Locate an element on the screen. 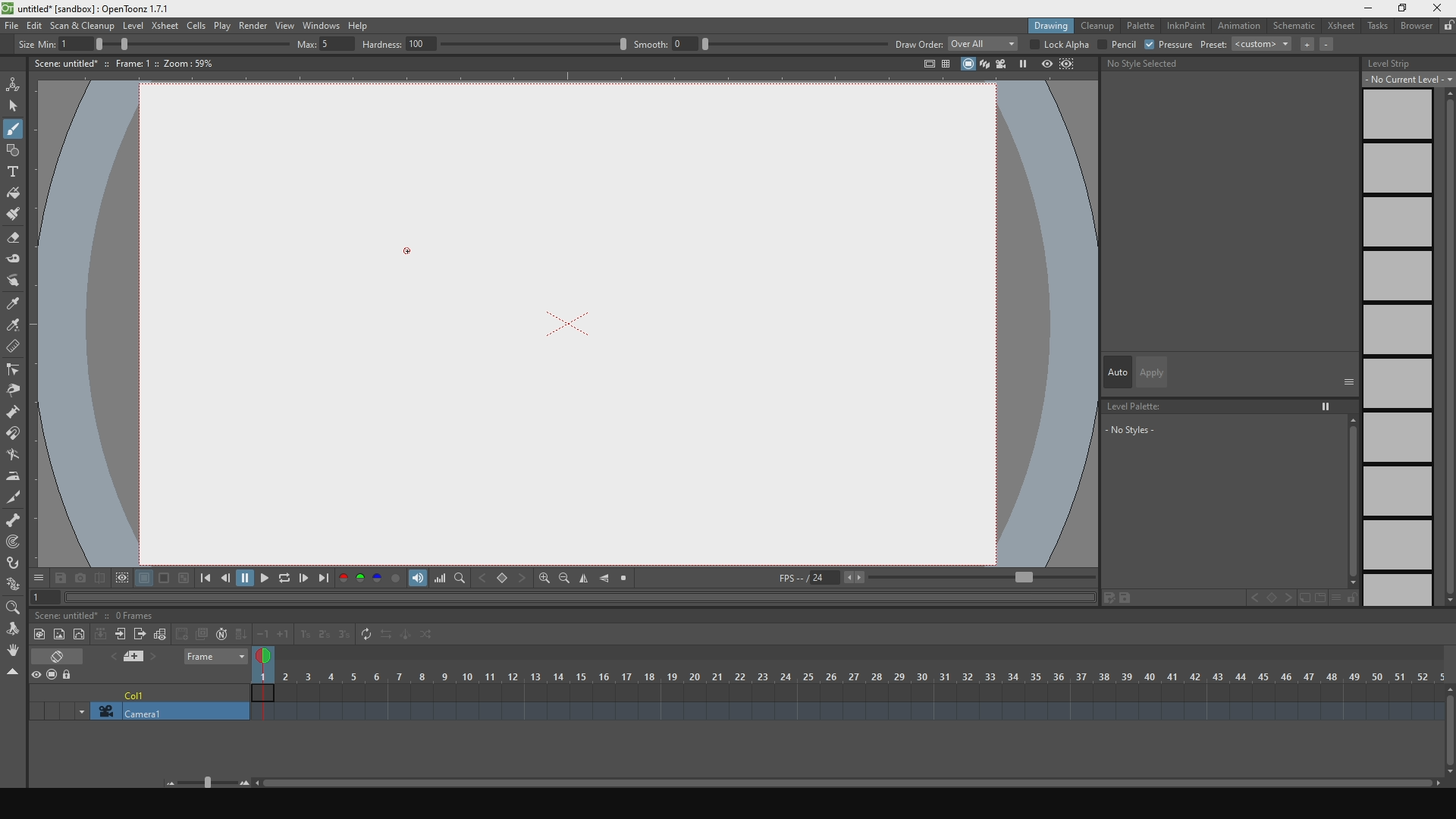 Image resolution: width=1456 pixels, height=819 pixels. plat is located at coordinates (221, 25).